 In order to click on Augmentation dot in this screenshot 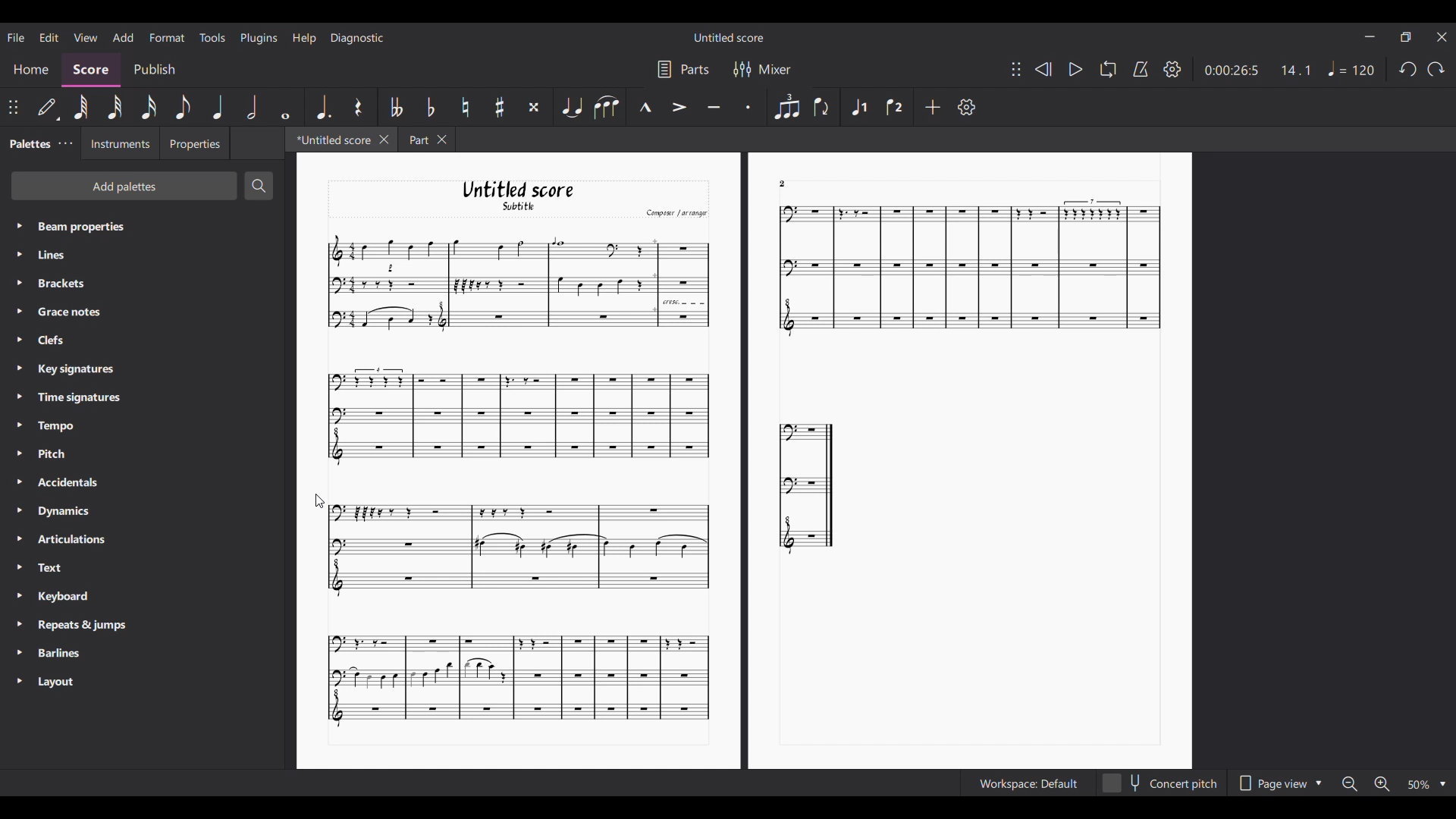, I will do `click(323, 106)`.